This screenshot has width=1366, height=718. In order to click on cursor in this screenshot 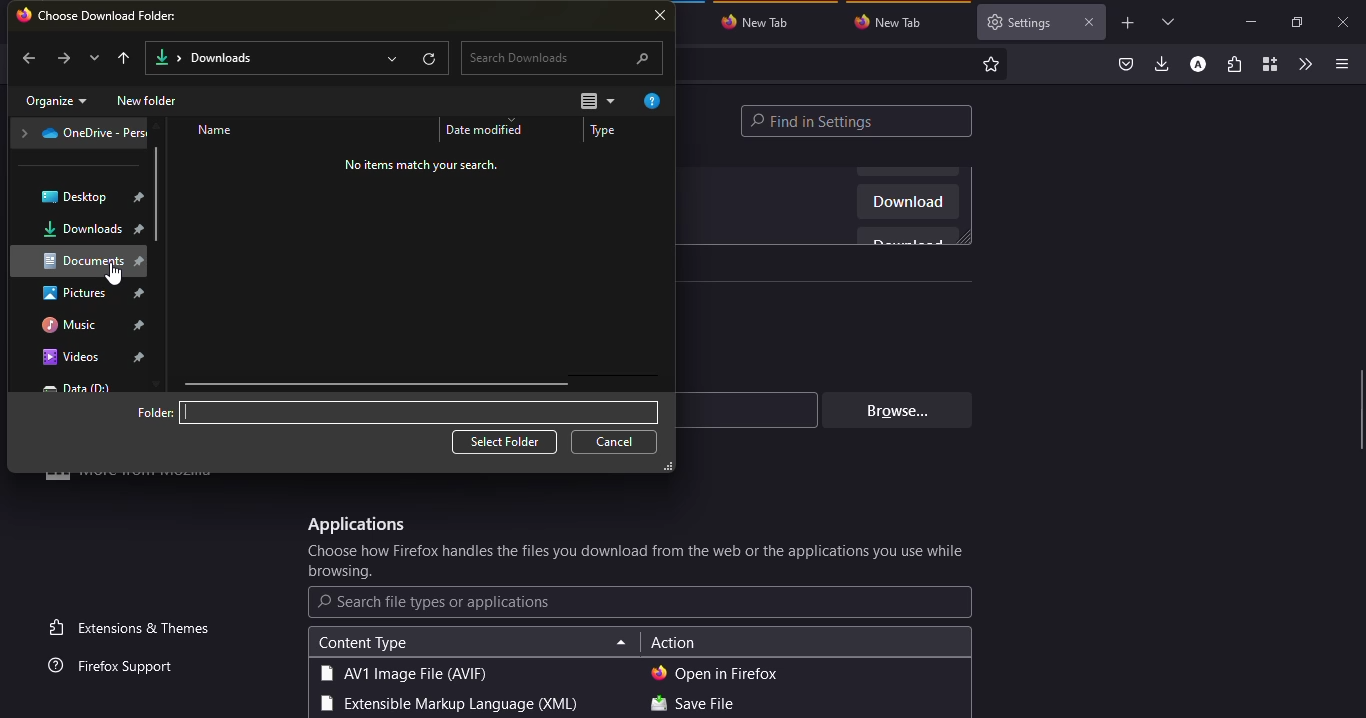, I will do `click(114, 274)`.